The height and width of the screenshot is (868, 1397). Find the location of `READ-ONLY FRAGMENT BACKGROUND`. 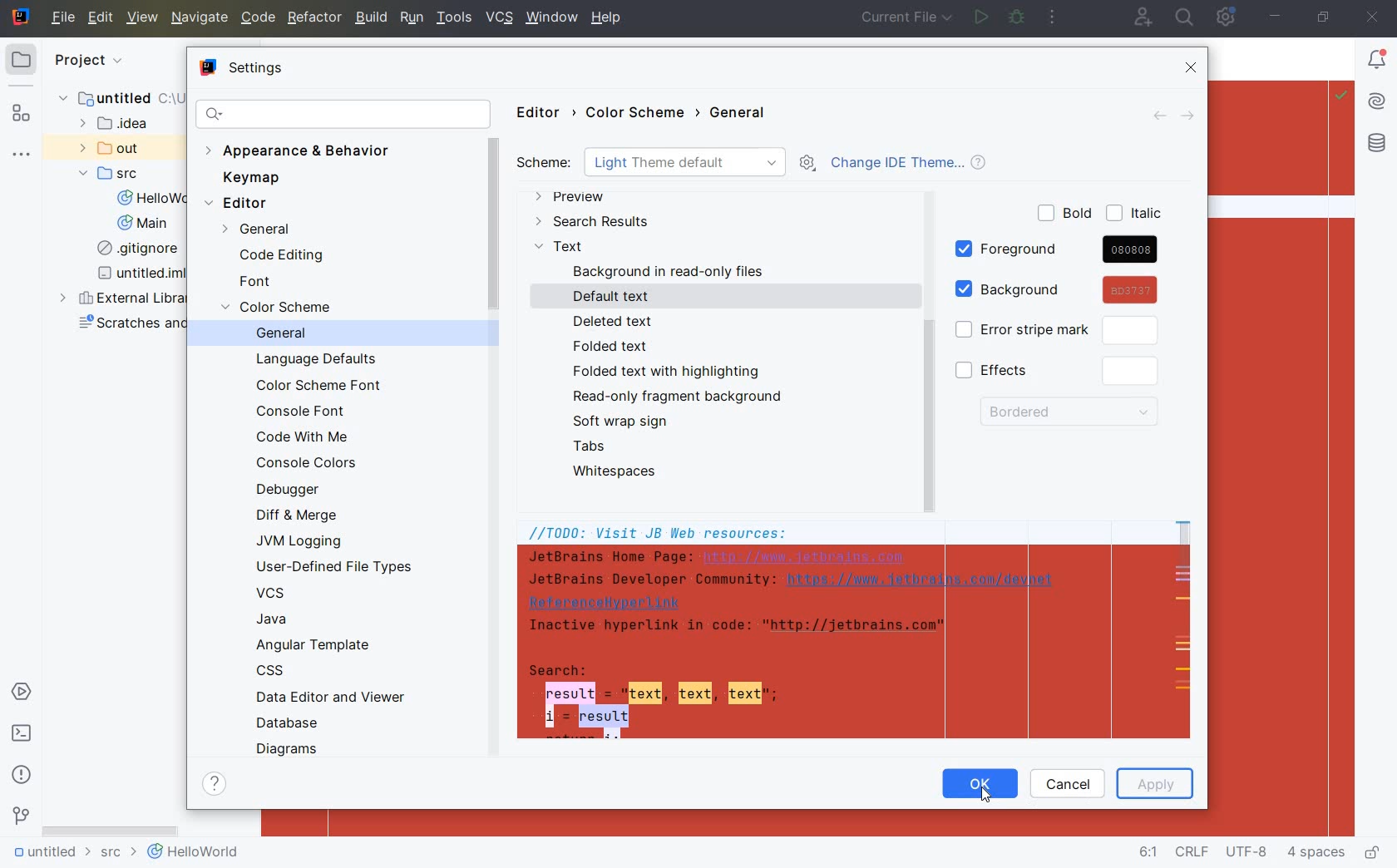

READ-ONLY FRAGMENT BACKGROUND is located at coordinates (674, 397).